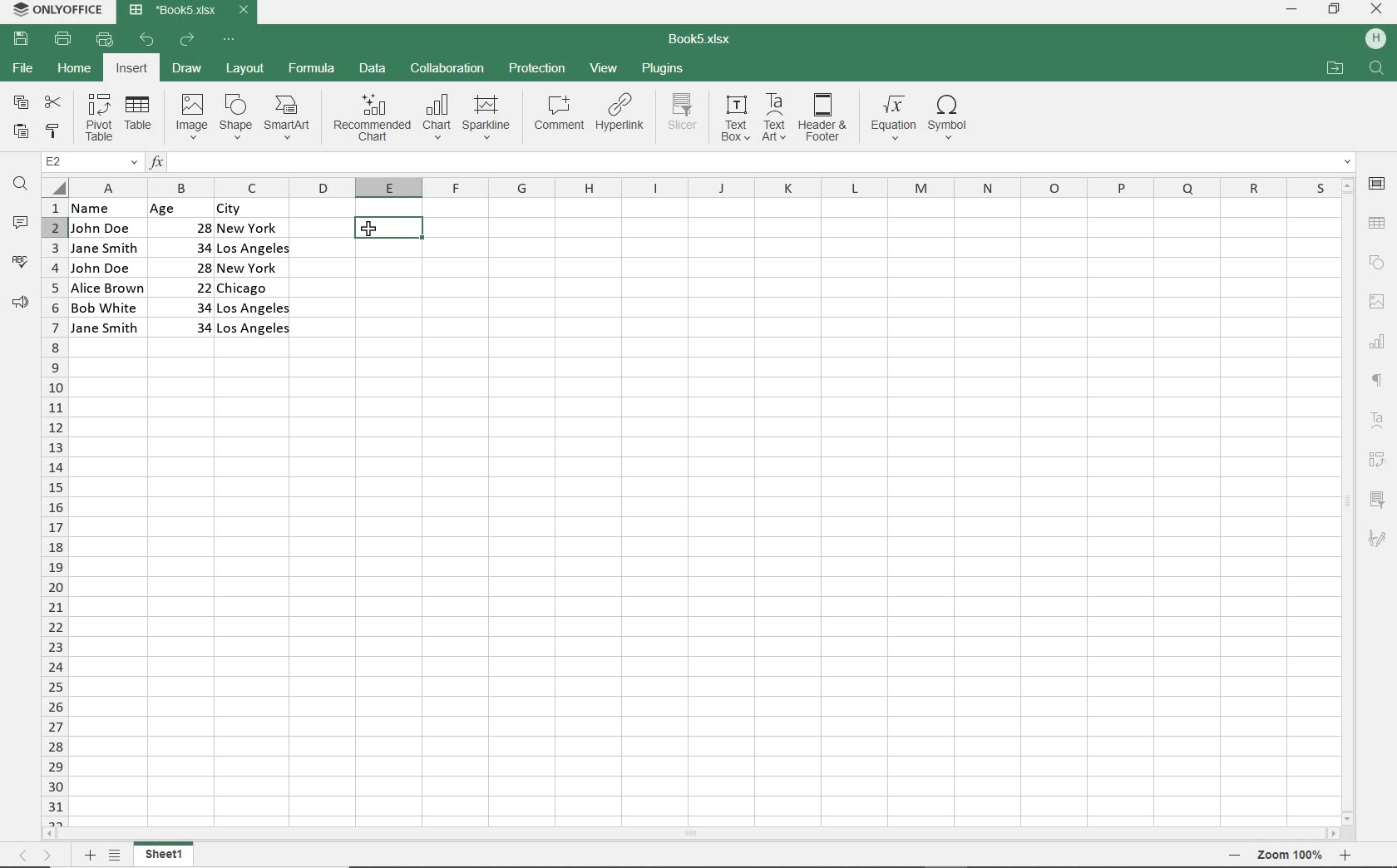  I want to click on FEEDBACK & SUPPORT, so click(20, 303).